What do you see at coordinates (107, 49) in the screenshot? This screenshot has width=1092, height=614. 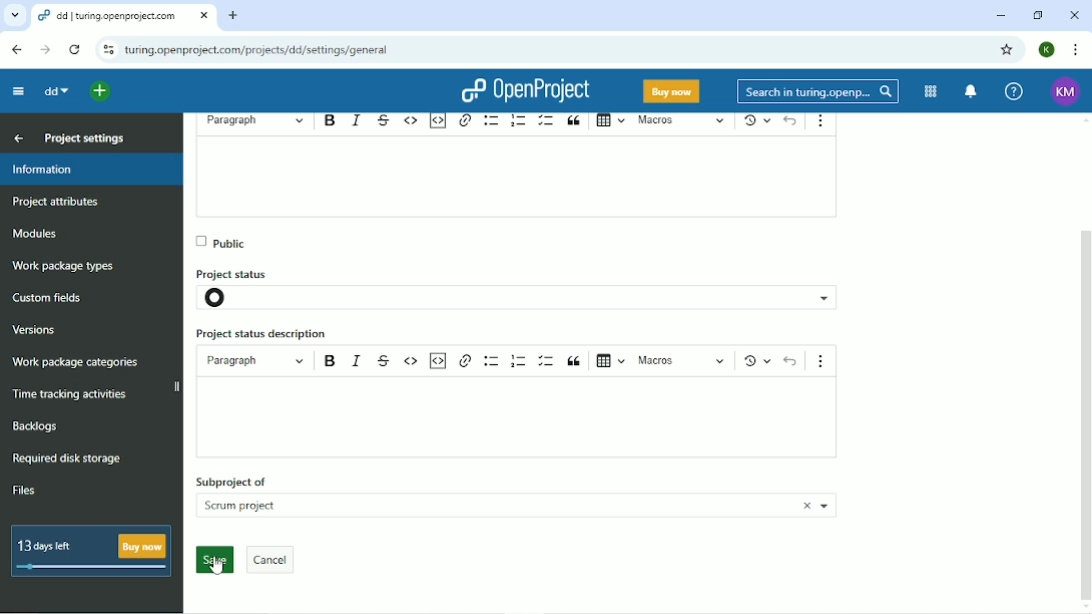 I see `View site information` at bounding box center [107, 49].